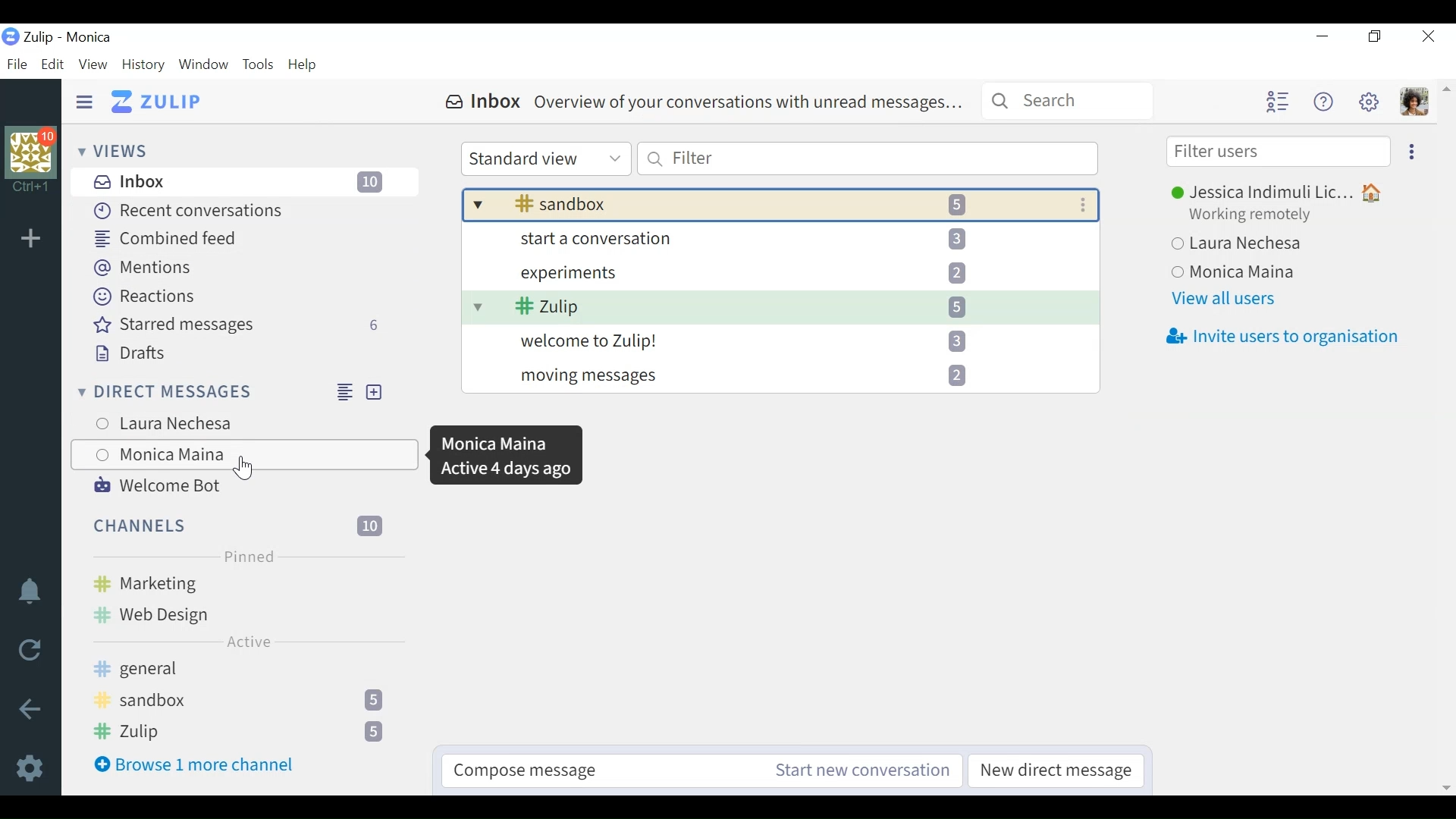  What do you see at coordinates (156, 101) in the screenshot?
I see `Go to Home View` at bounding box center [156, 101].